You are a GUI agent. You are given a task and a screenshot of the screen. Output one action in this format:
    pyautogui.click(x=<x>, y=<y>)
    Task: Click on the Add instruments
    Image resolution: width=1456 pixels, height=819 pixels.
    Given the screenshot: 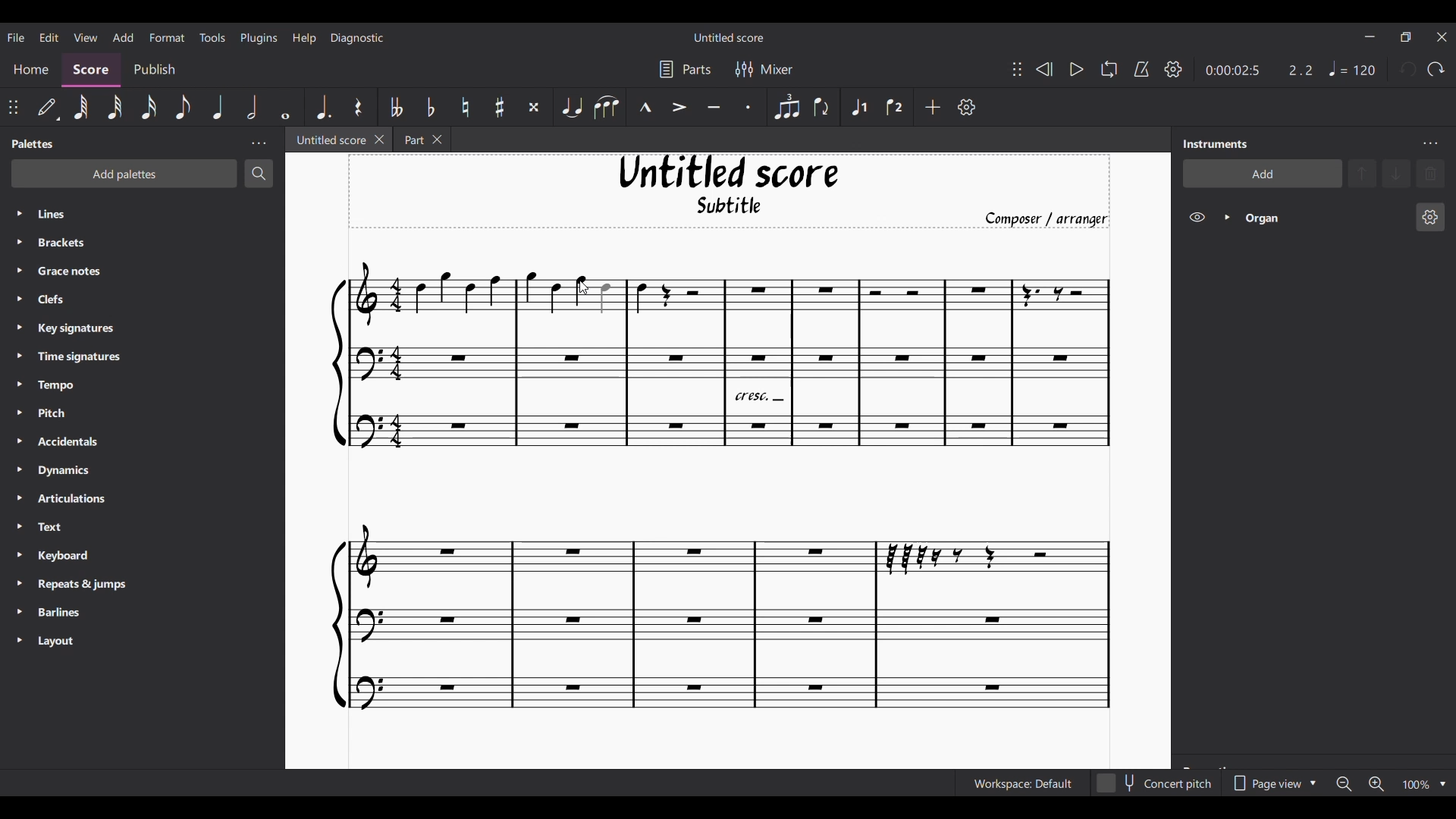 What is the action you would take?
    pyautogui.click(x=1261, y=174)
    